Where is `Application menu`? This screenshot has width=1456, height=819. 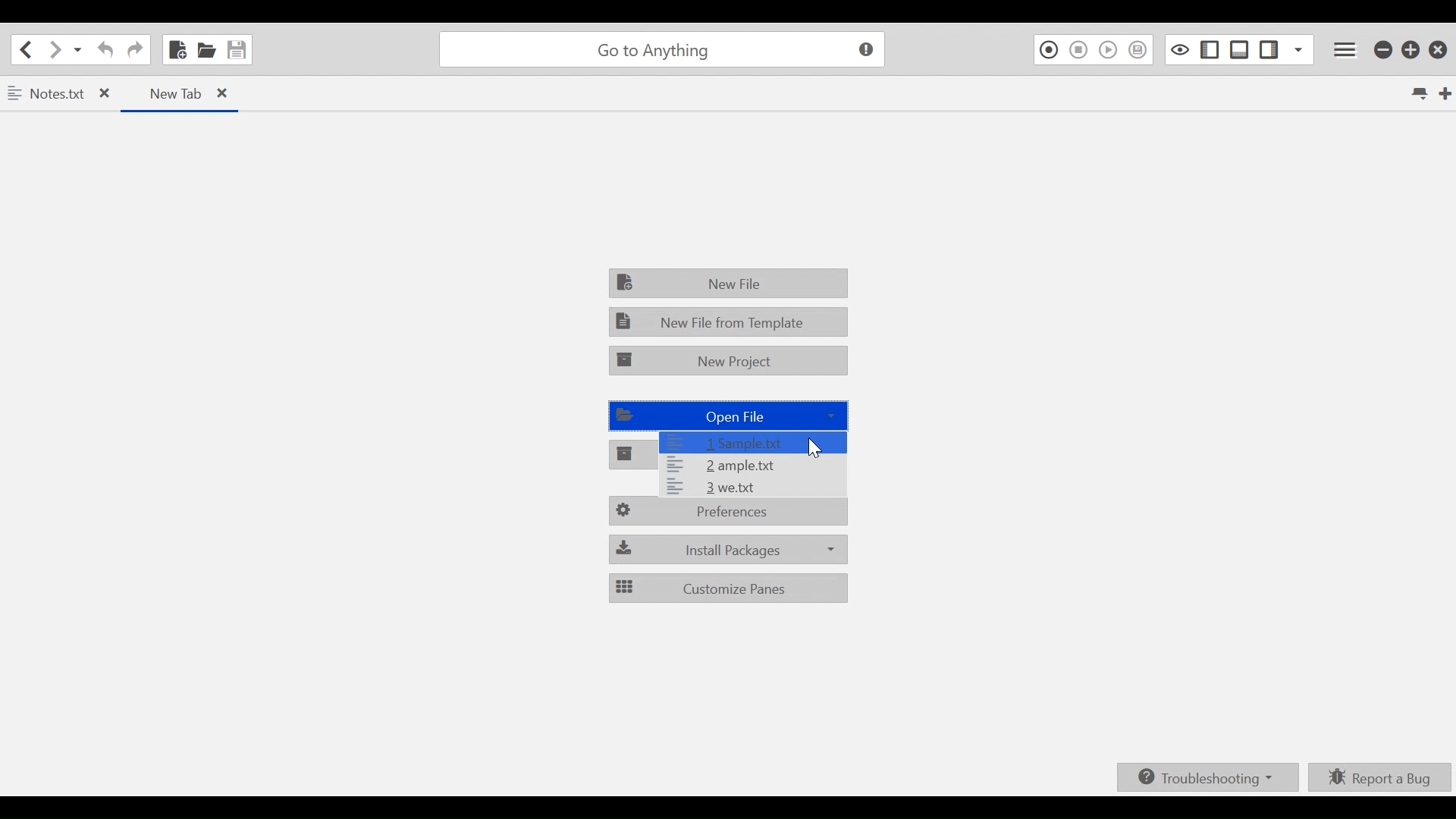 Application menu is located at coordinates (1347, 50).